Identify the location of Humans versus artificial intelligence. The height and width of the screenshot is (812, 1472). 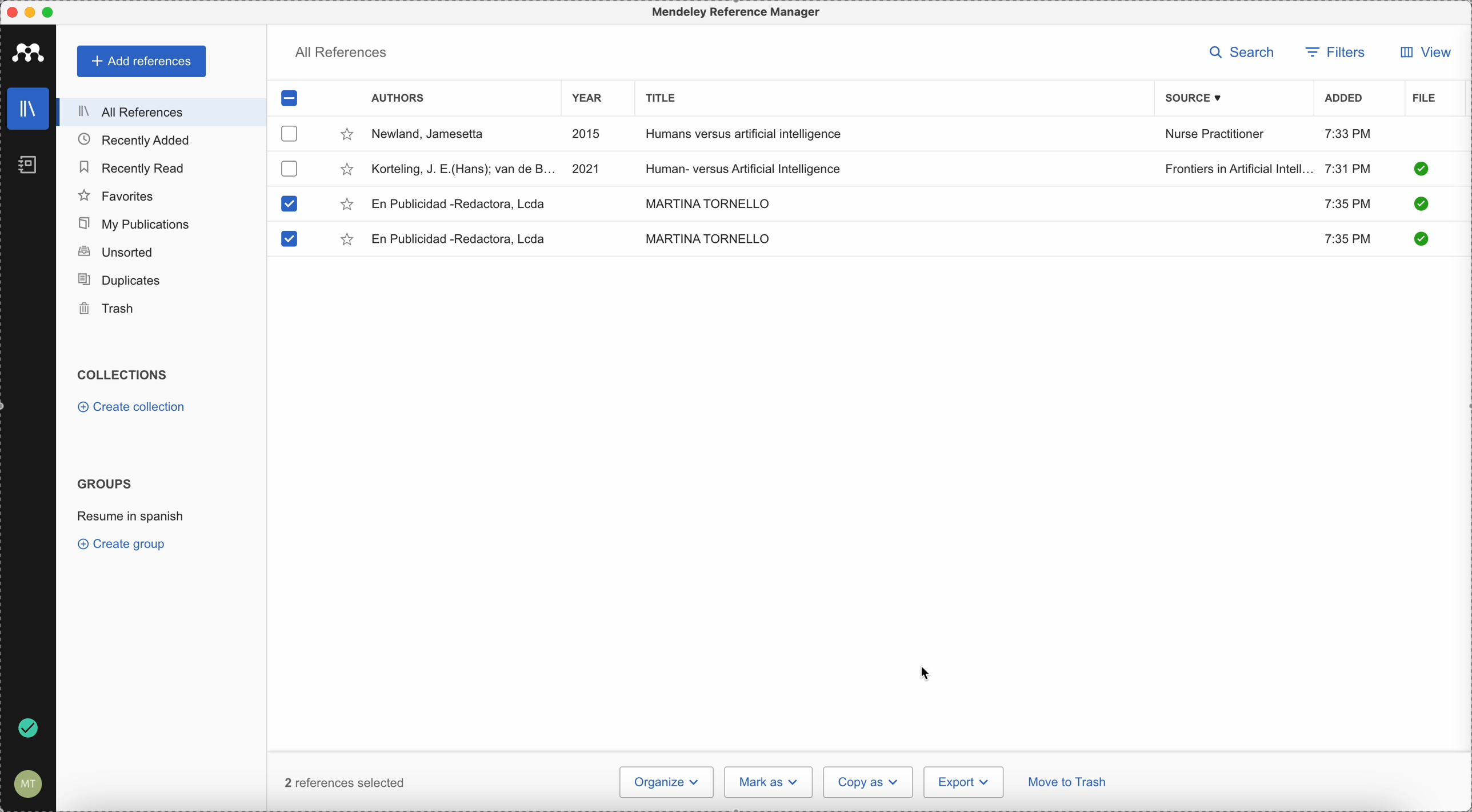
(745, 135).